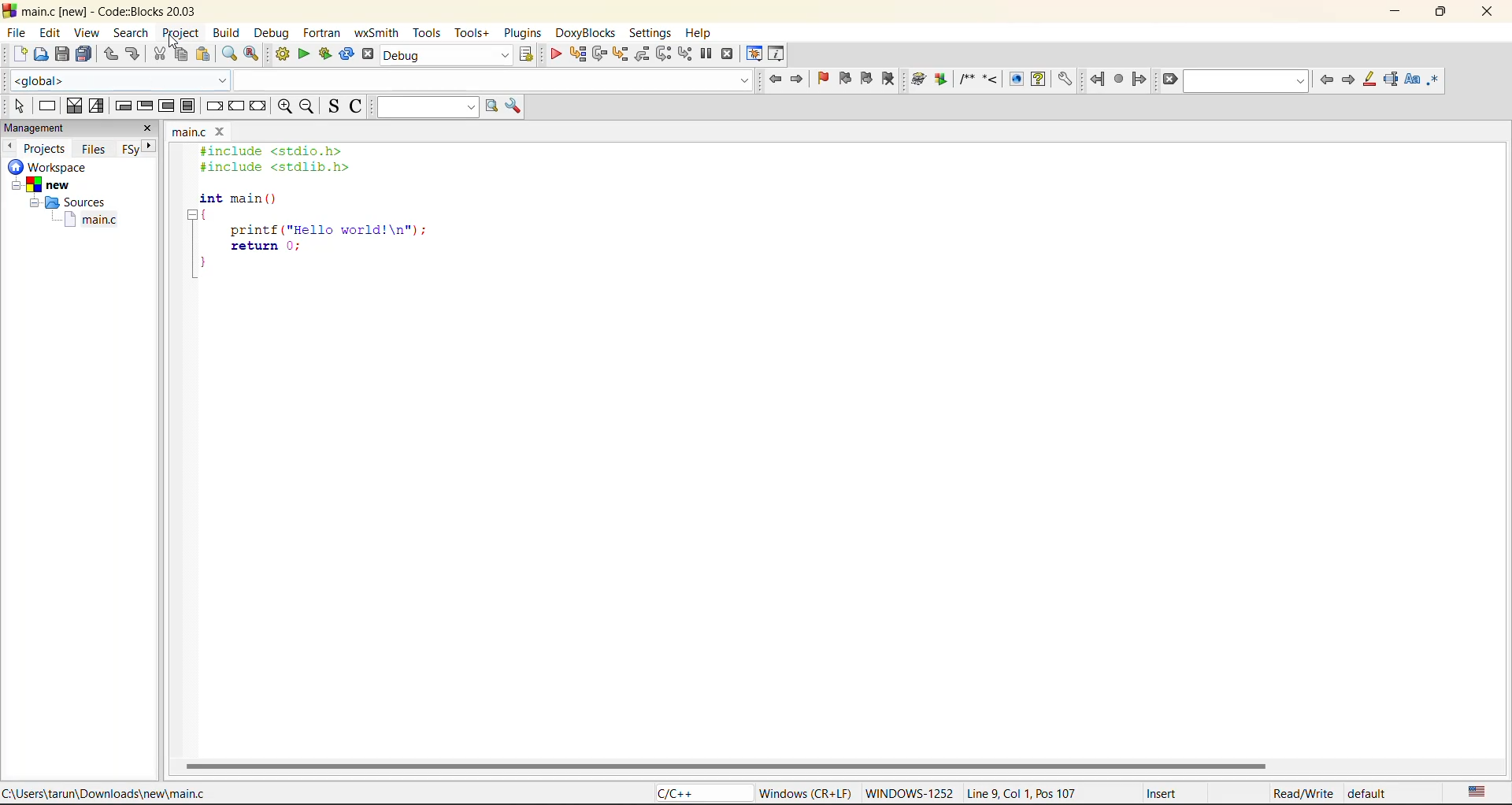  What do you see at coordinates (1185, 792) in the screenshot?
I see `Insert` at bounding box center [1185, 792].